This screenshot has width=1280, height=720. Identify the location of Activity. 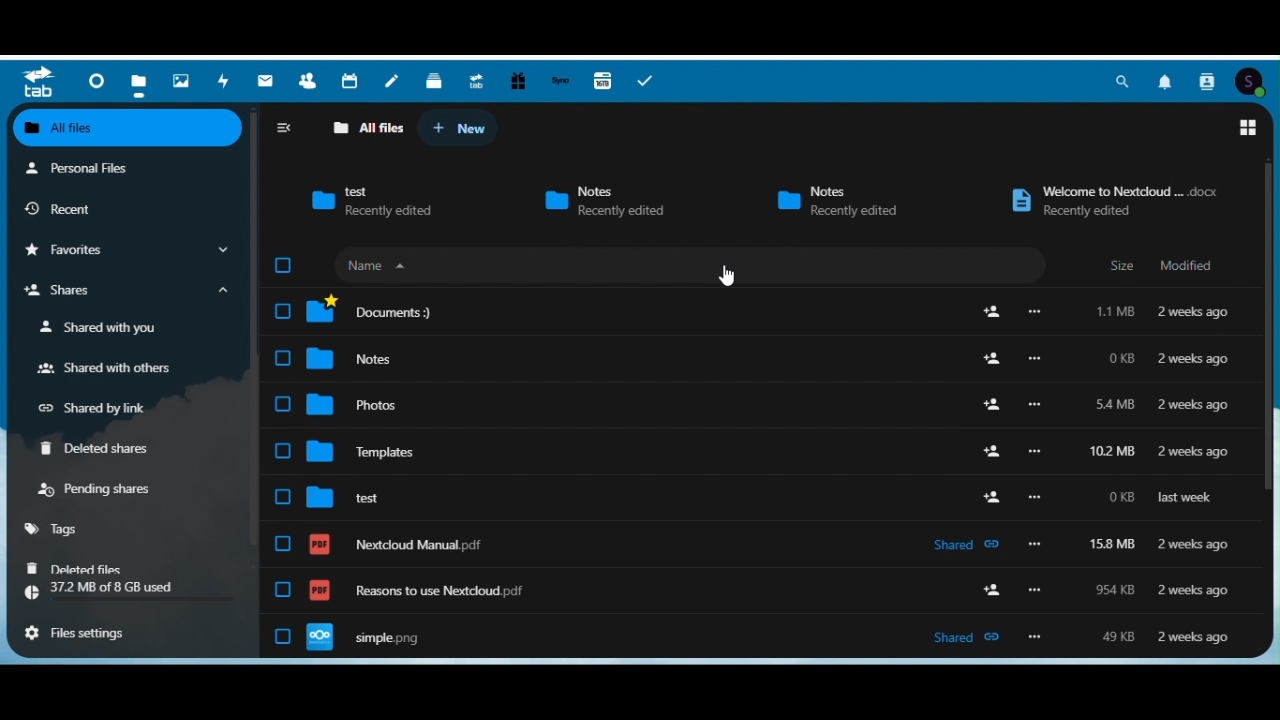
(225, 78).